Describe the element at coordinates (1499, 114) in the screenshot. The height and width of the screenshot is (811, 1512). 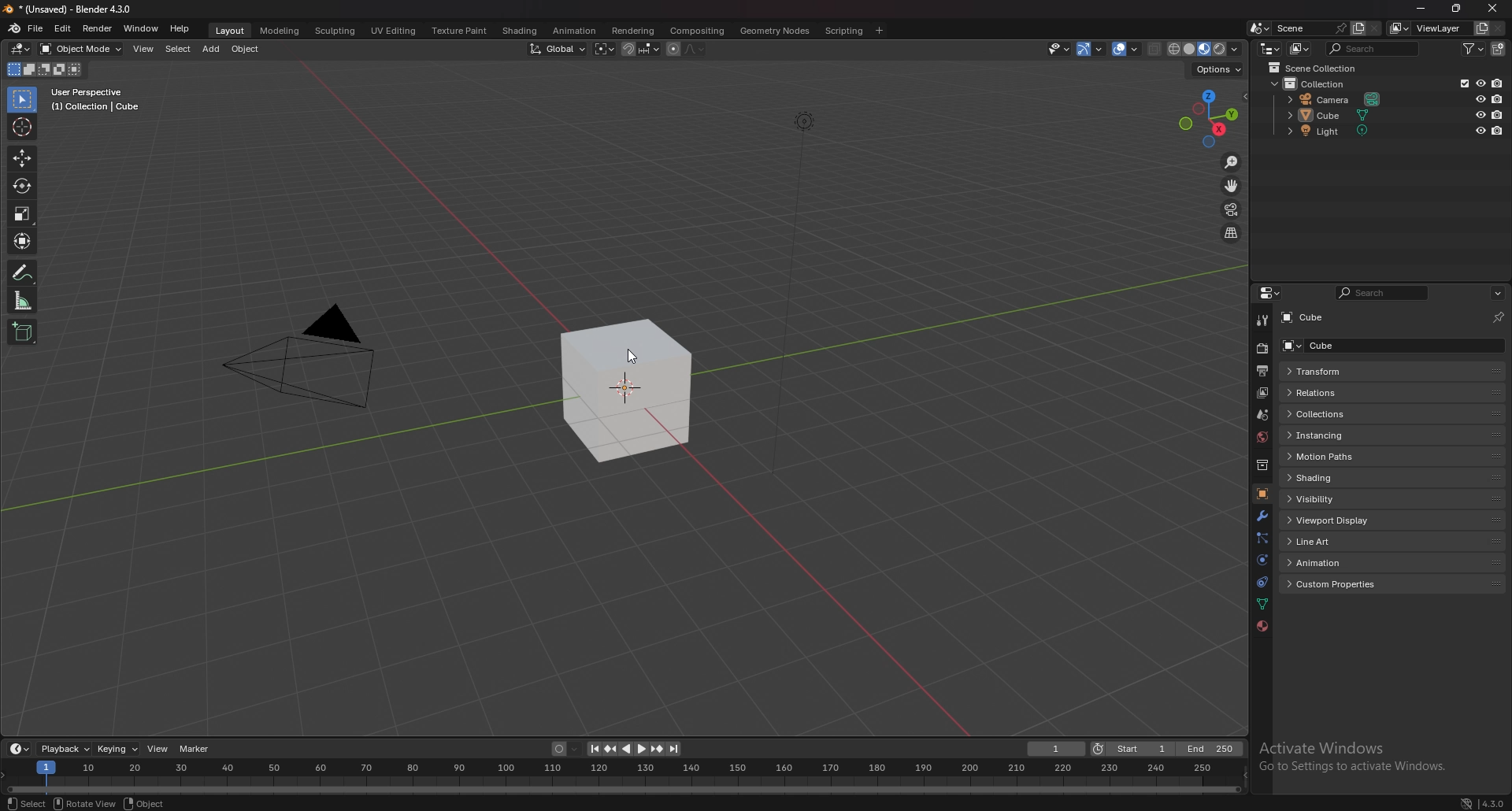
I see `disable in renders` at that location.